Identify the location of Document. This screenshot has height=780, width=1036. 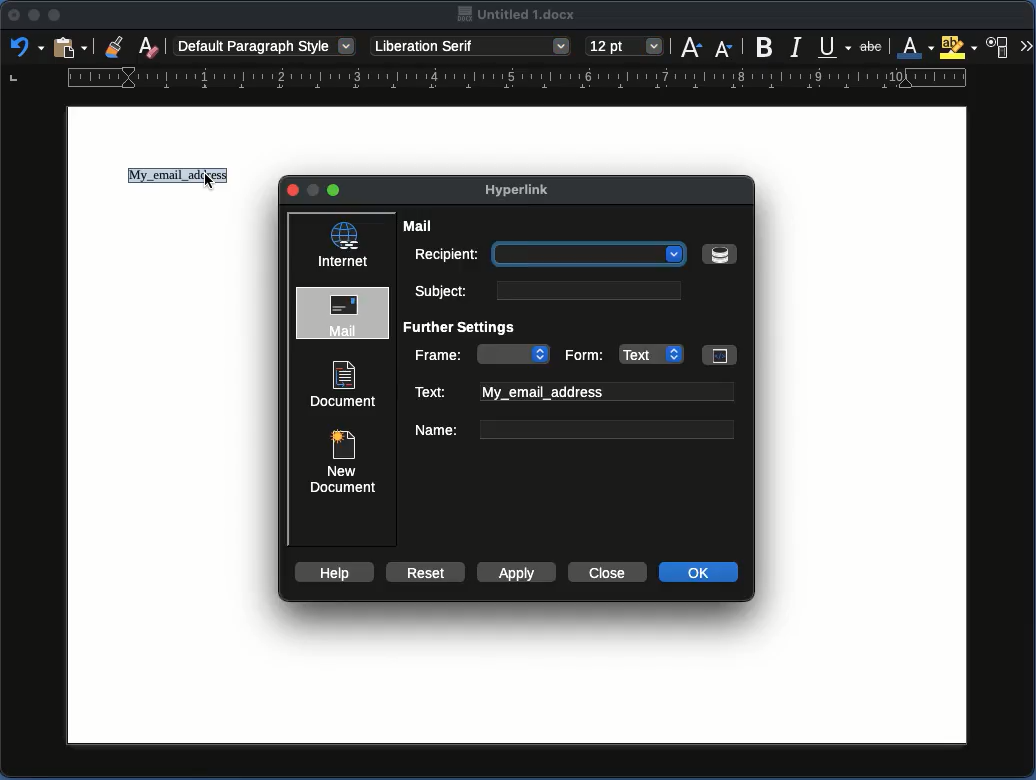
(344, 384).